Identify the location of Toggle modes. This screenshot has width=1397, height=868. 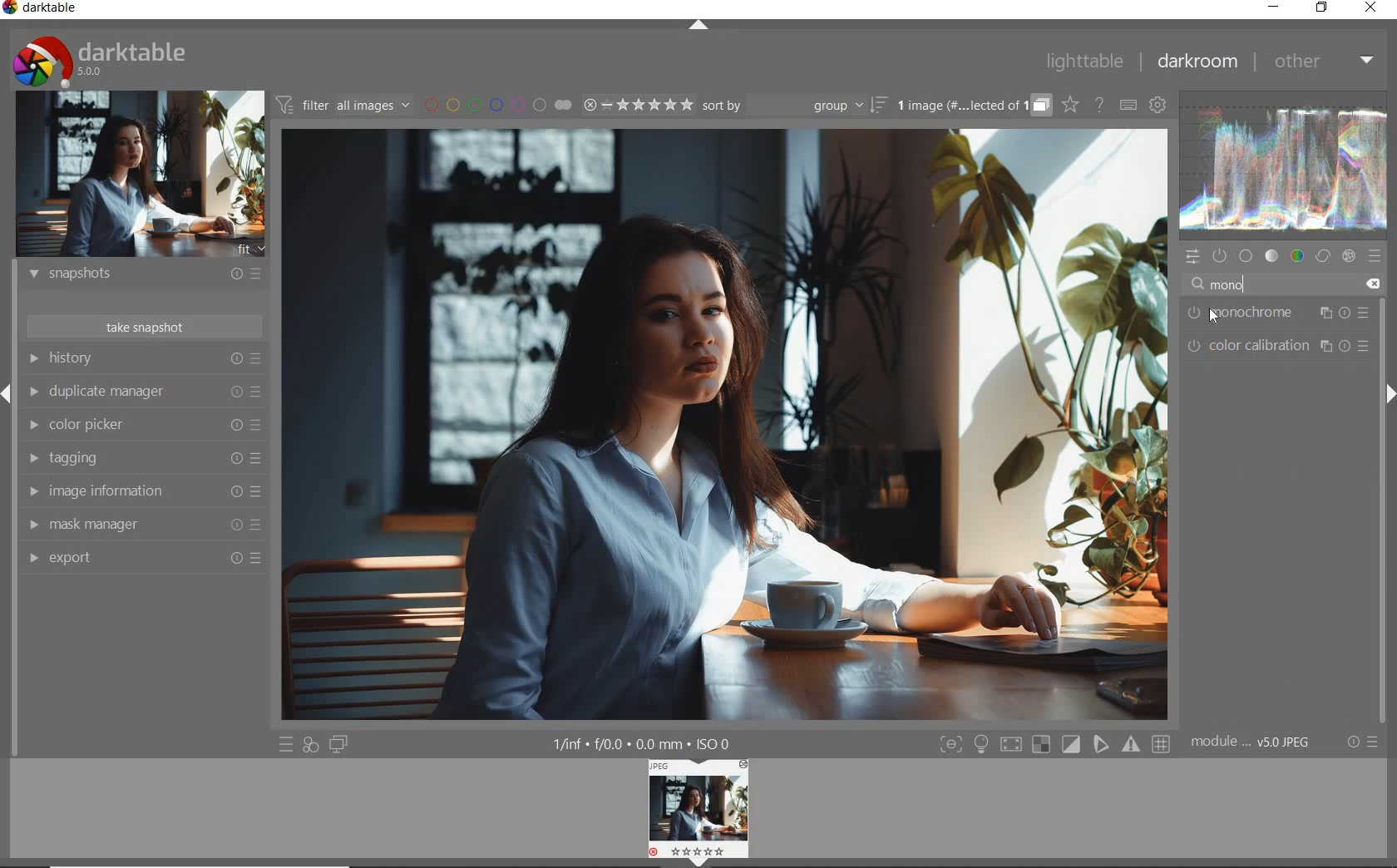
(1054, 744).